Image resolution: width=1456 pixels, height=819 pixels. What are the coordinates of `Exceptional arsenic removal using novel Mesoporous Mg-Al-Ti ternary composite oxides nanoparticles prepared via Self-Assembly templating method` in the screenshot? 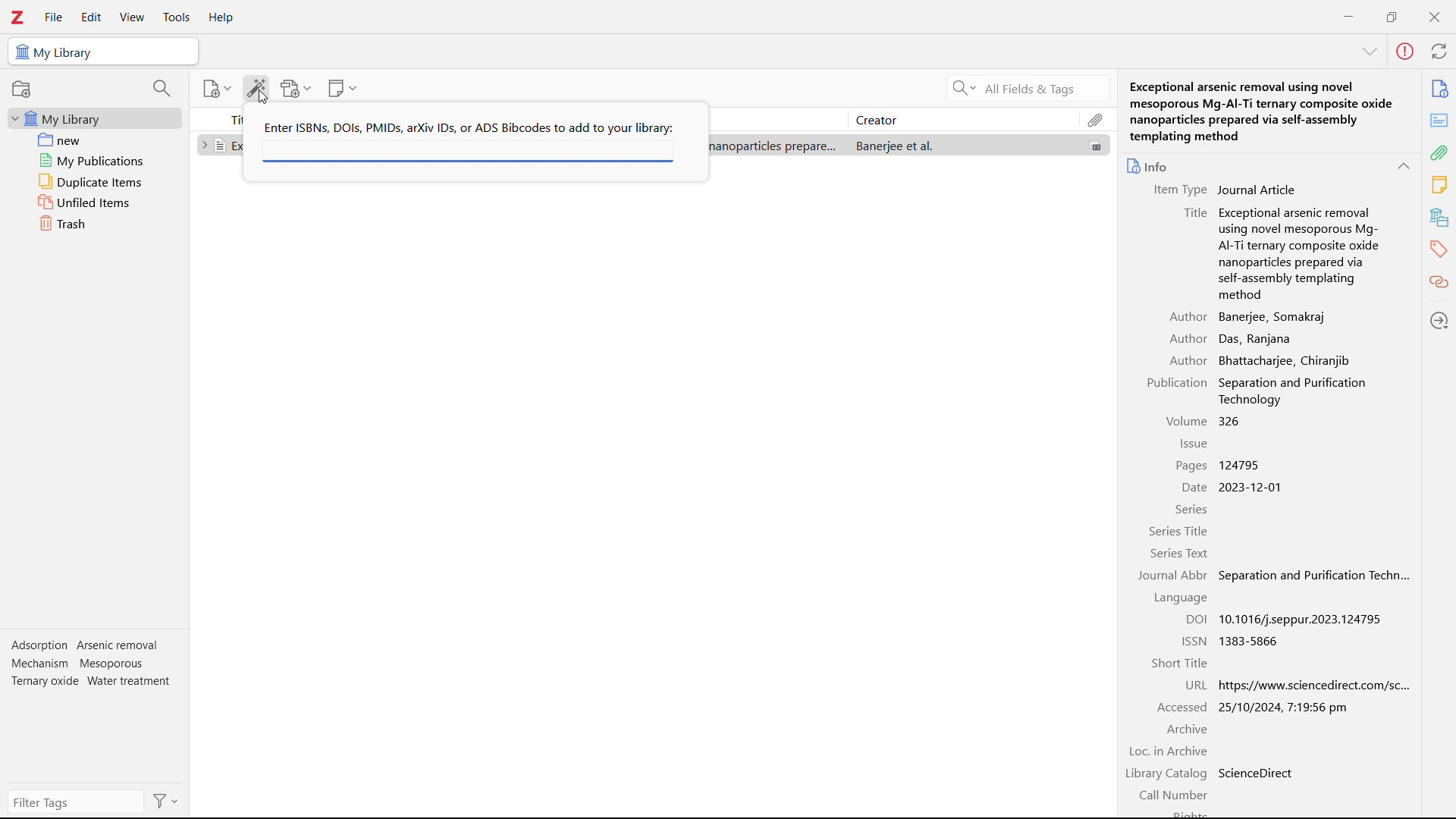 It's located at (1301, 253).